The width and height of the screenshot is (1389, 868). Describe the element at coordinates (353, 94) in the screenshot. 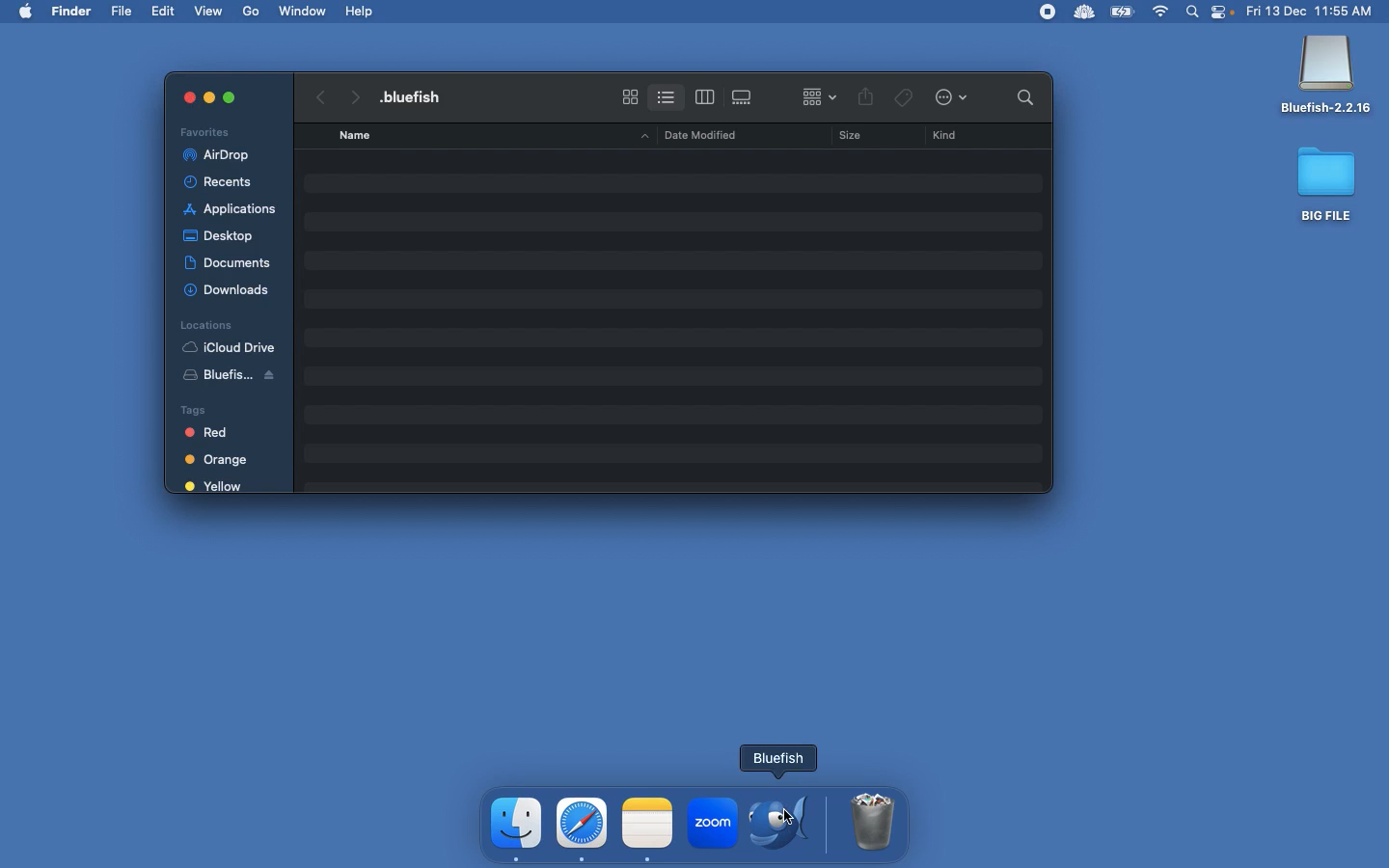

I see `go forward` at that location.